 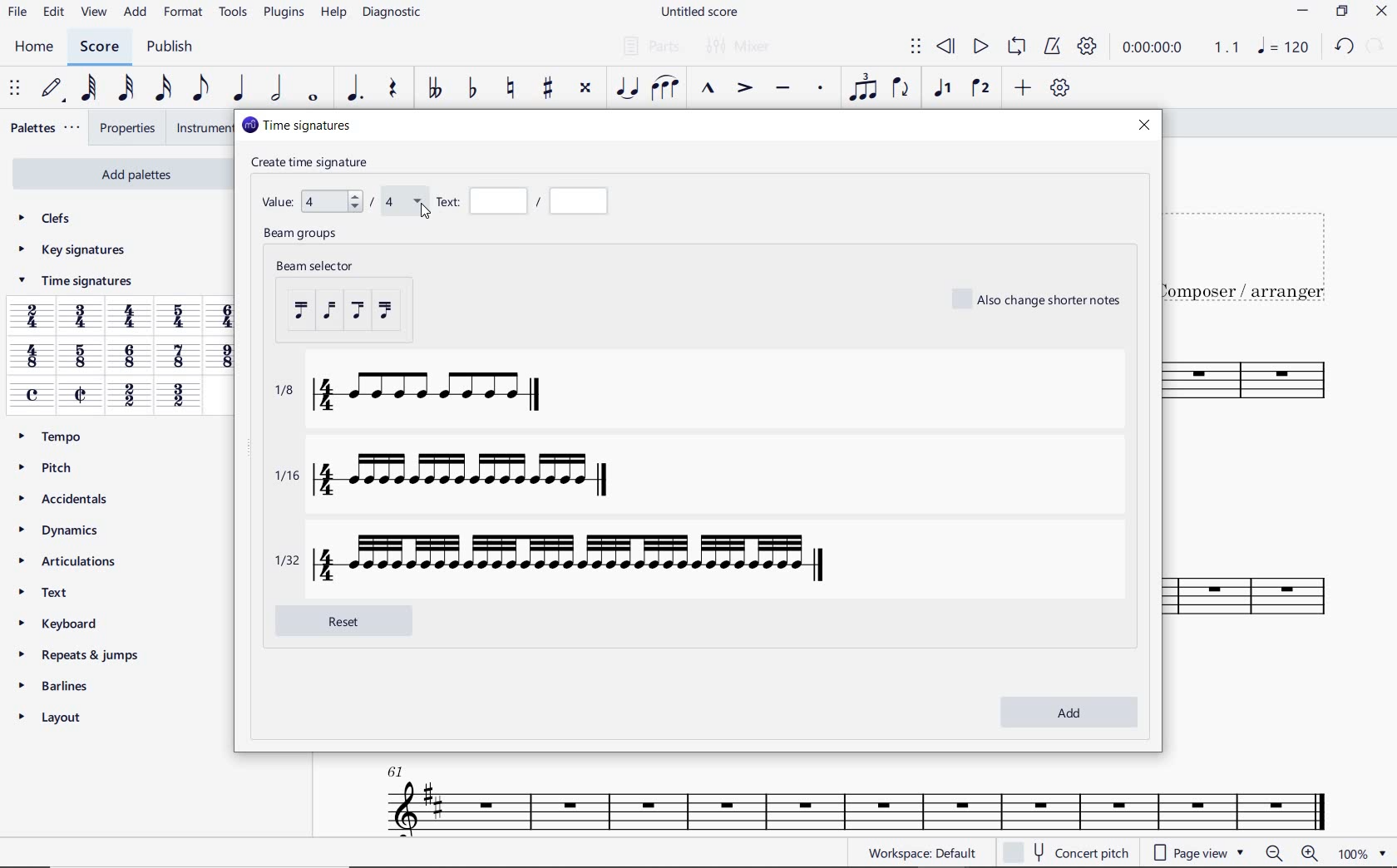 I want to click on beam selector, so click(x=373, y=300).